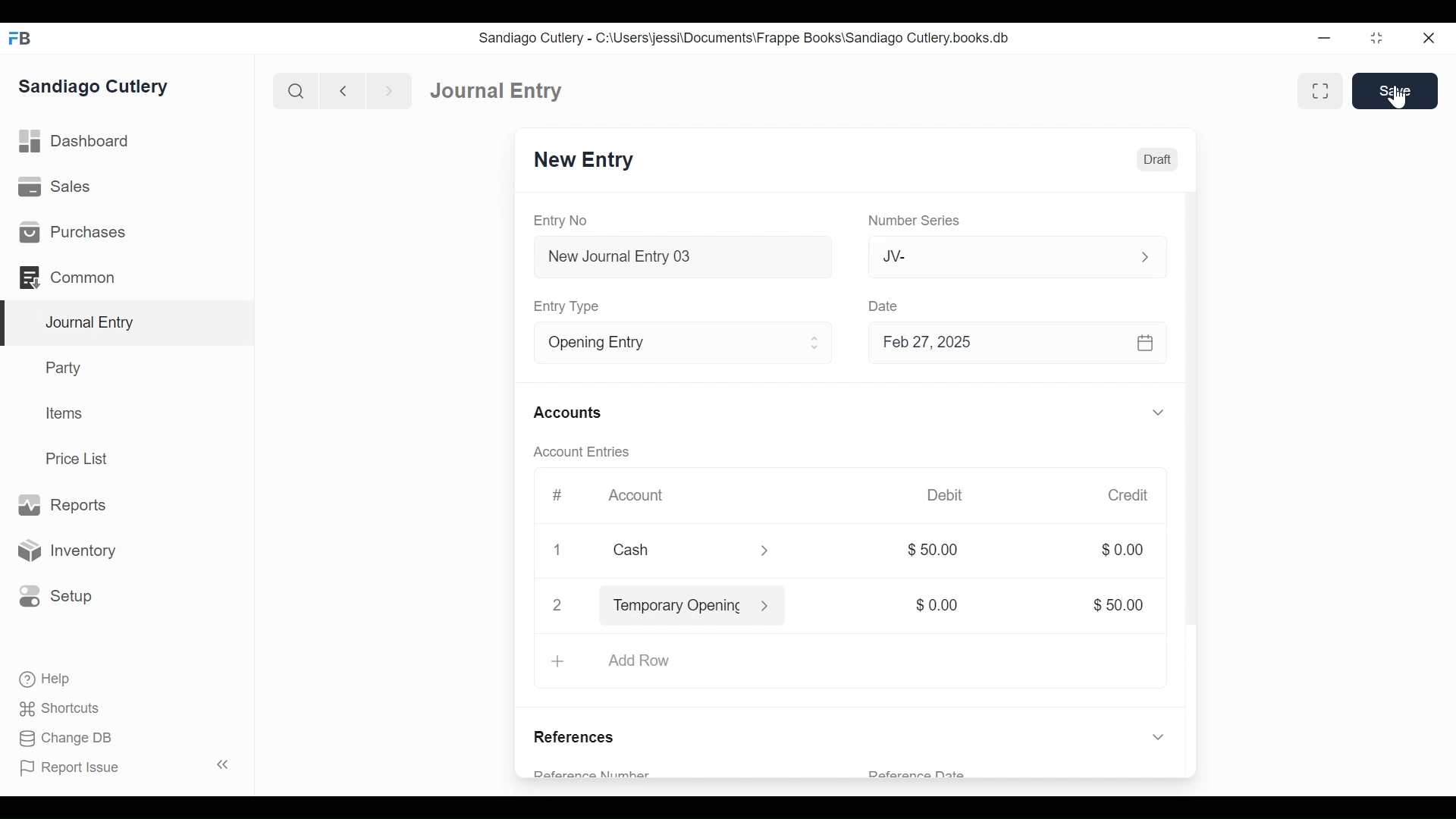  I want to click on Party, so click(66, 367).